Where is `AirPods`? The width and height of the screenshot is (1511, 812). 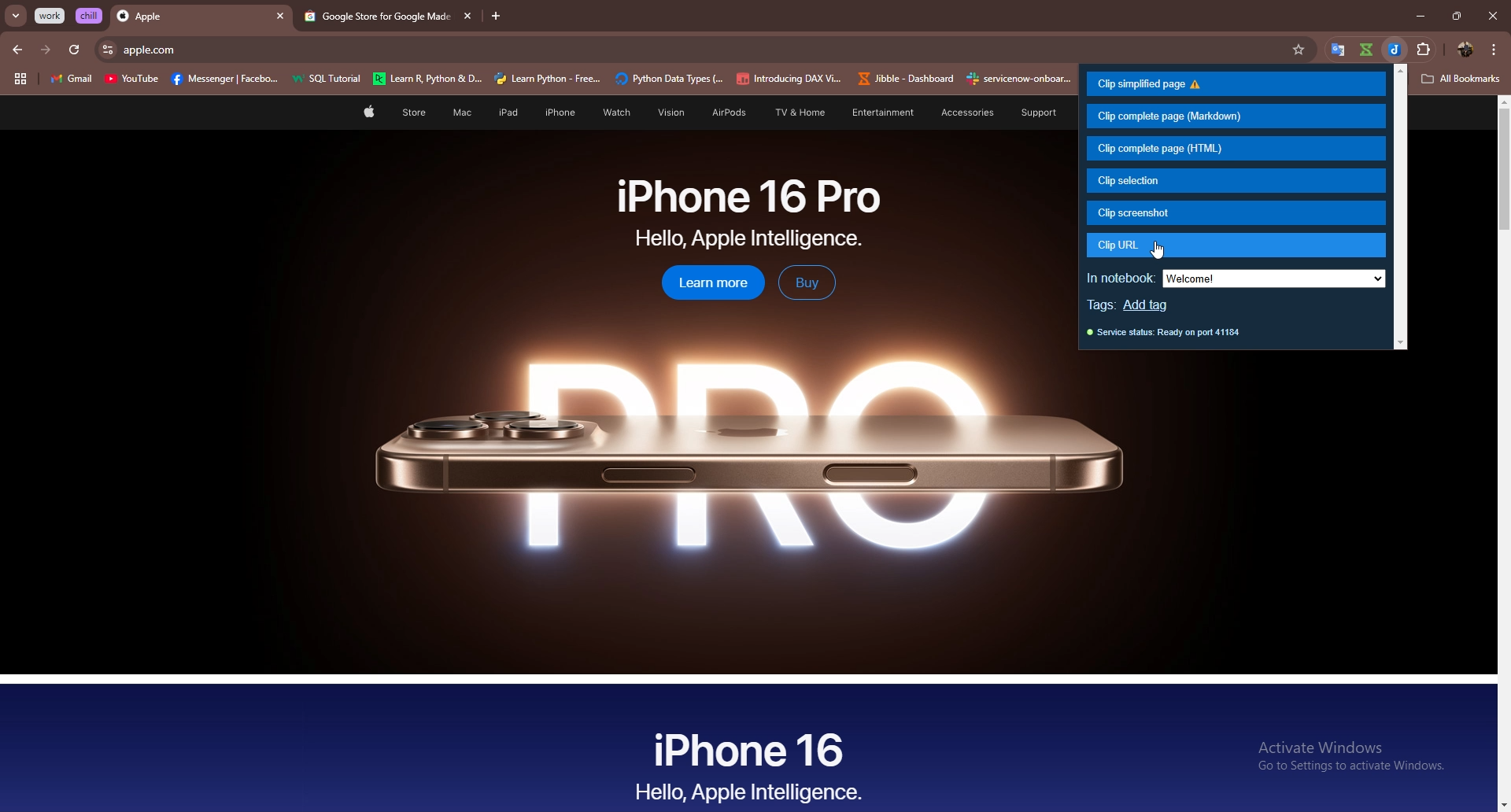 AirPods is located at coordinates (723, 114).